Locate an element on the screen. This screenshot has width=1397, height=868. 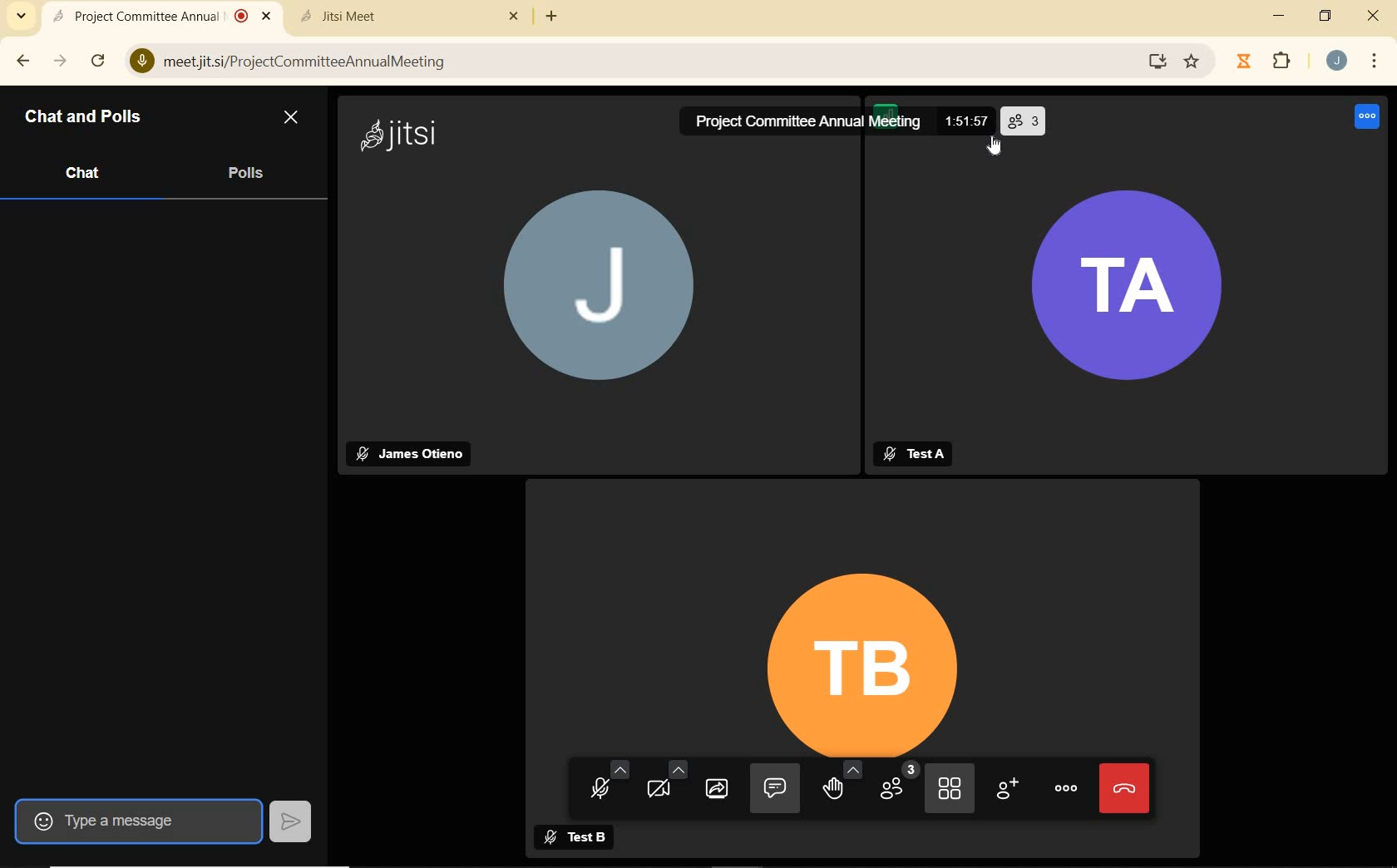
crusor is located at coordinates (990, 153).